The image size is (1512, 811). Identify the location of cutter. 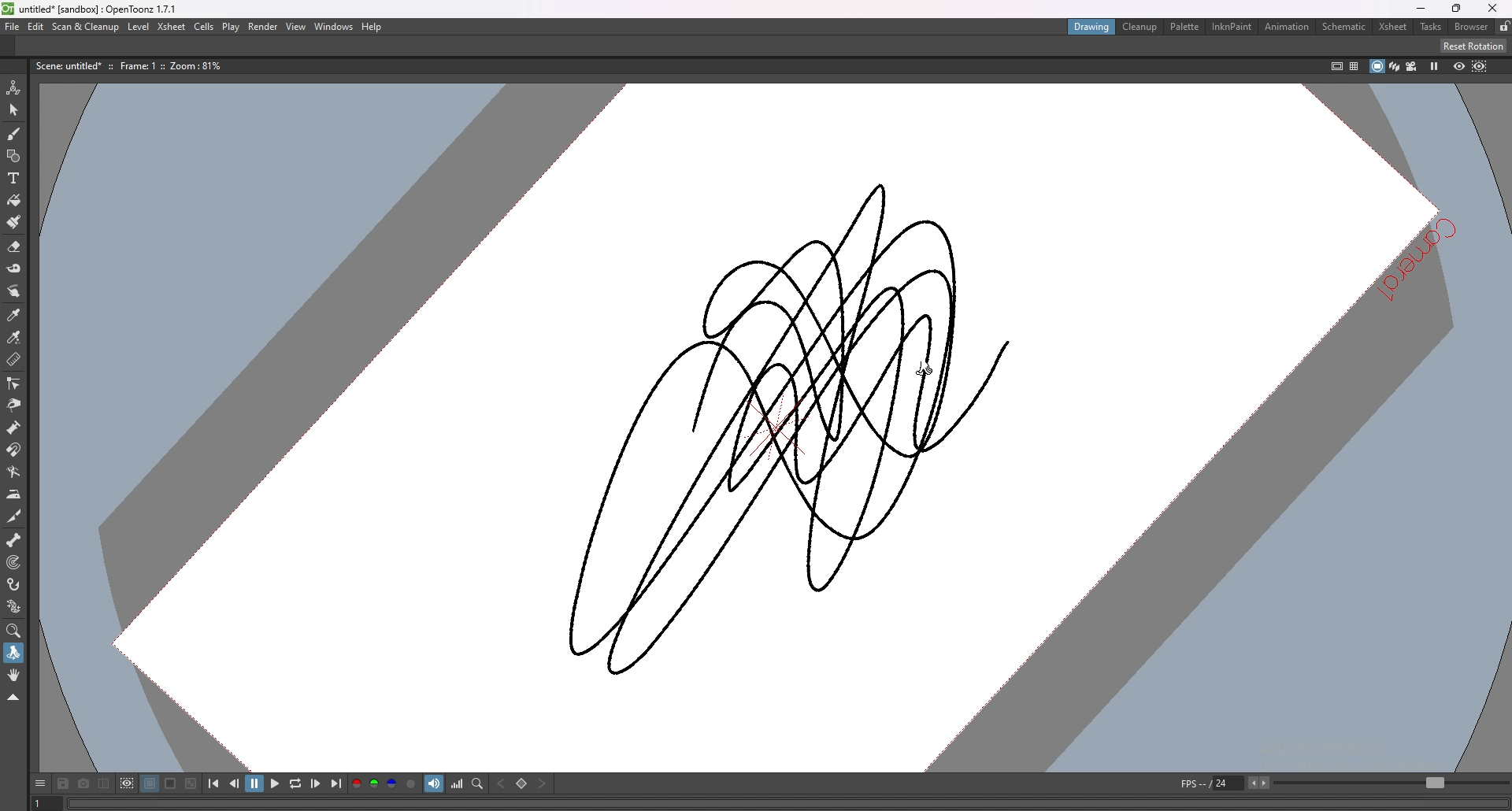
(13, 517).